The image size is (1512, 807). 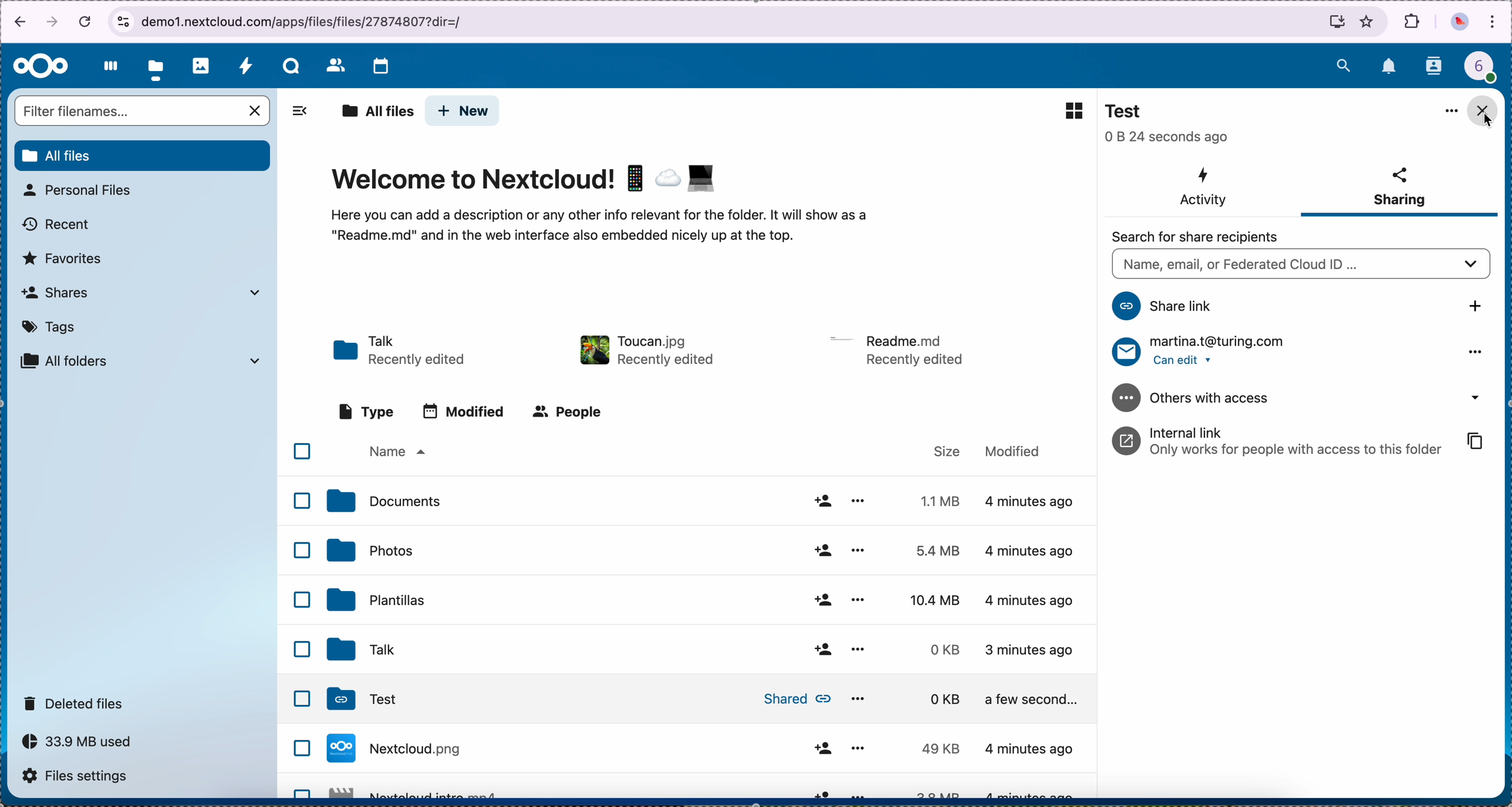 I want to click on more options, so click(x=1447, y=112).